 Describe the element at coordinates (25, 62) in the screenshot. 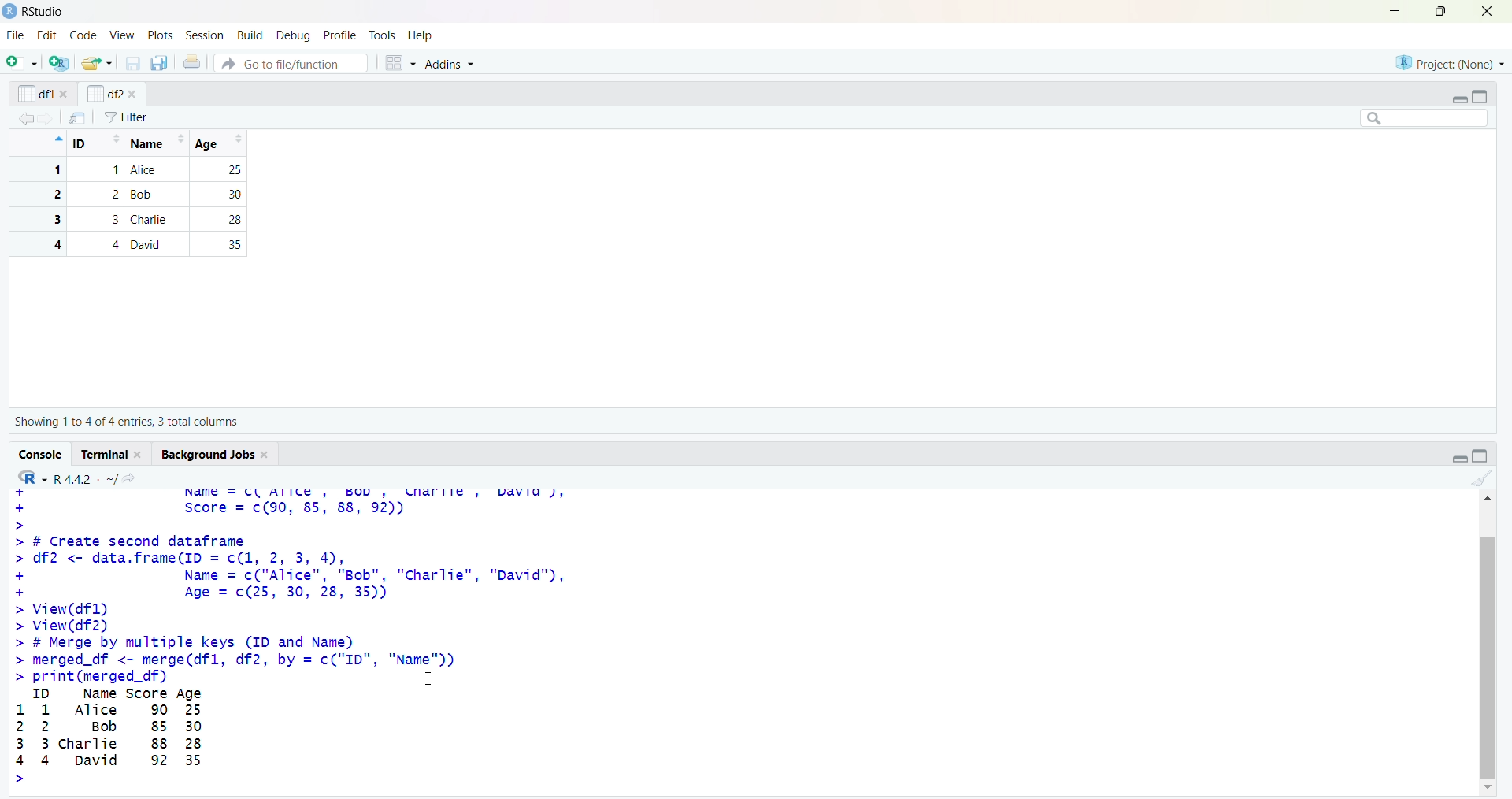

I see `add file as` at that location.